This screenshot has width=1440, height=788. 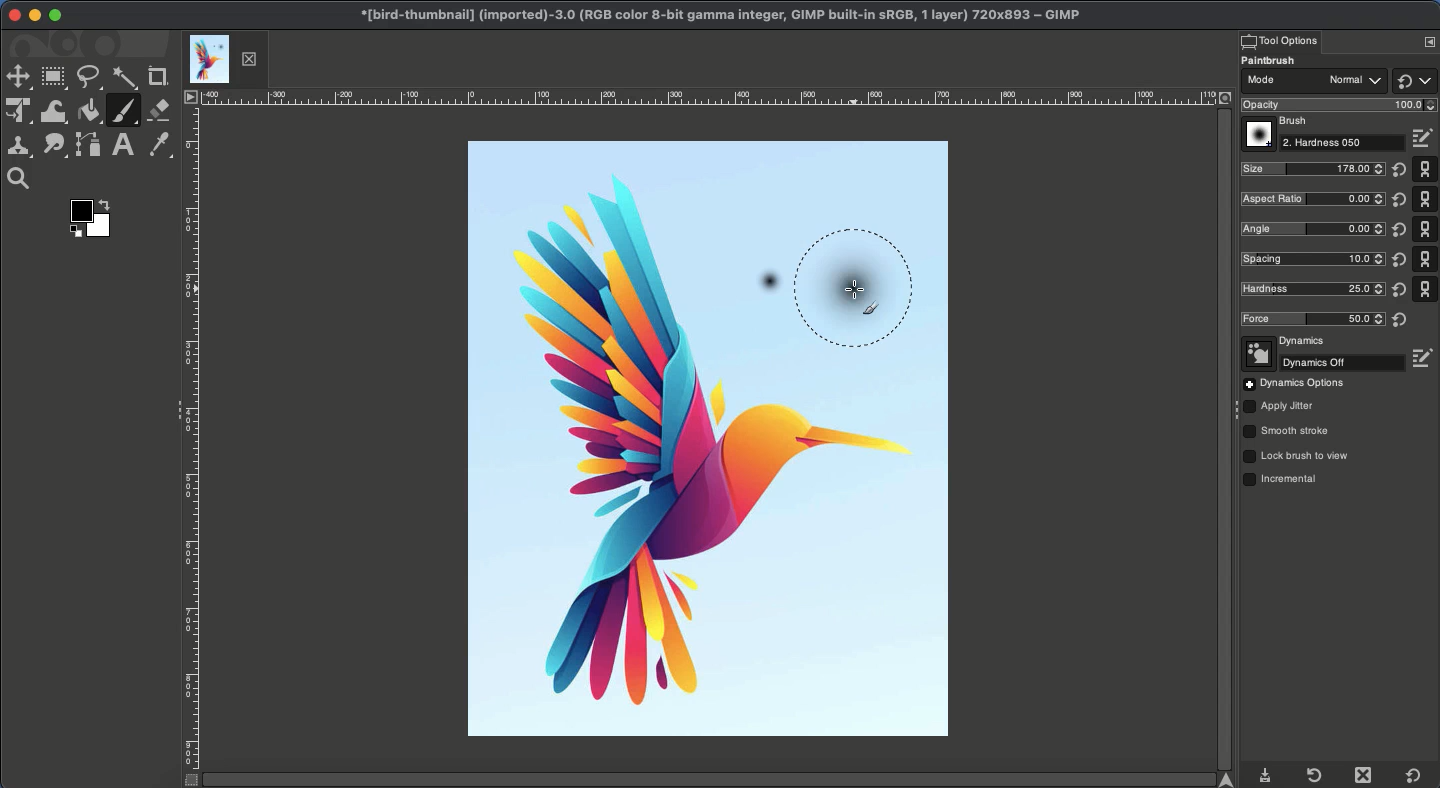 I want to click on Paintbrush, so click(x=1281, y=61).